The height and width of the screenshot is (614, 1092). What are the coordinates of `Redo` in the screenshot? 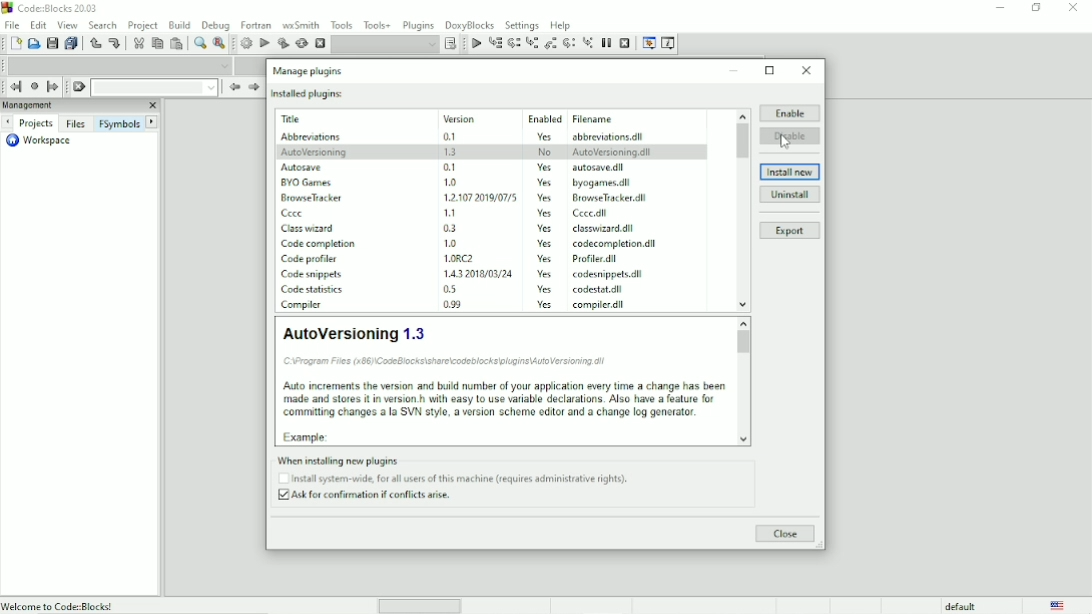 It's located at (114, 43).